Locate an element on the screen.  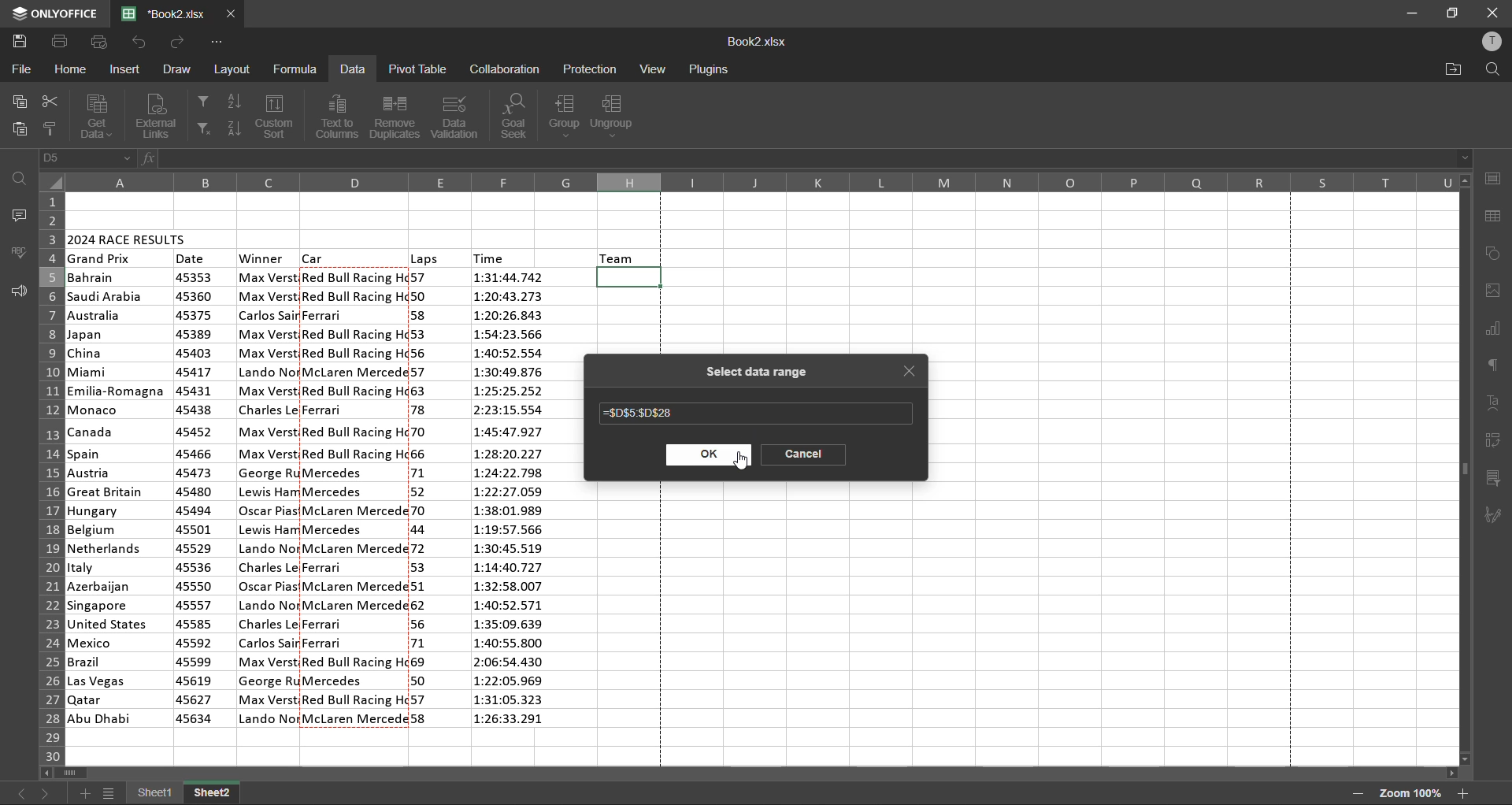
protection is located at coordinates (591, 70).